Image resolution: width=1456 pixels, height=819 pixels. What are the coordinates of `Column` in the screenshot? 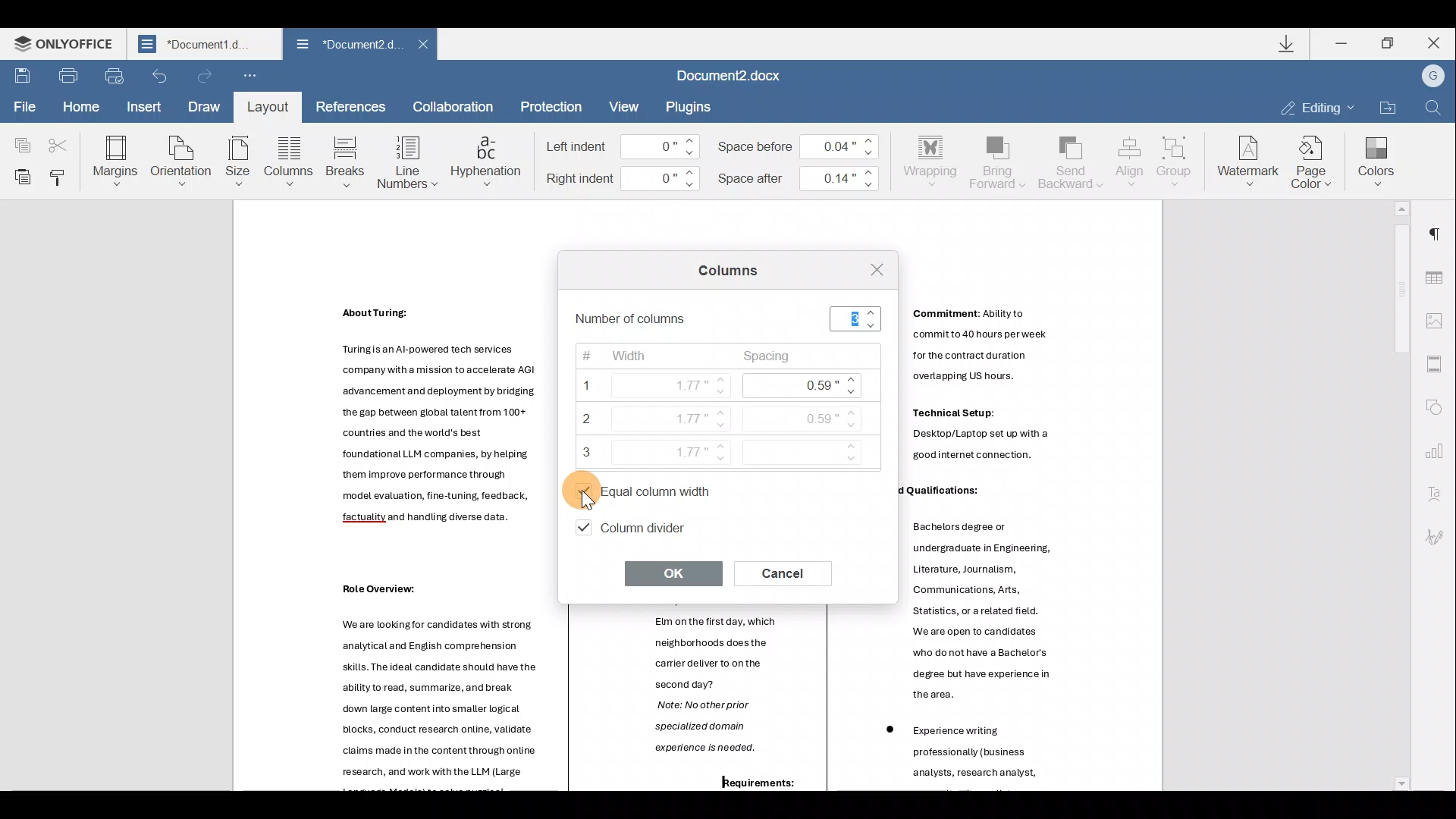 It's located at (291, 165).